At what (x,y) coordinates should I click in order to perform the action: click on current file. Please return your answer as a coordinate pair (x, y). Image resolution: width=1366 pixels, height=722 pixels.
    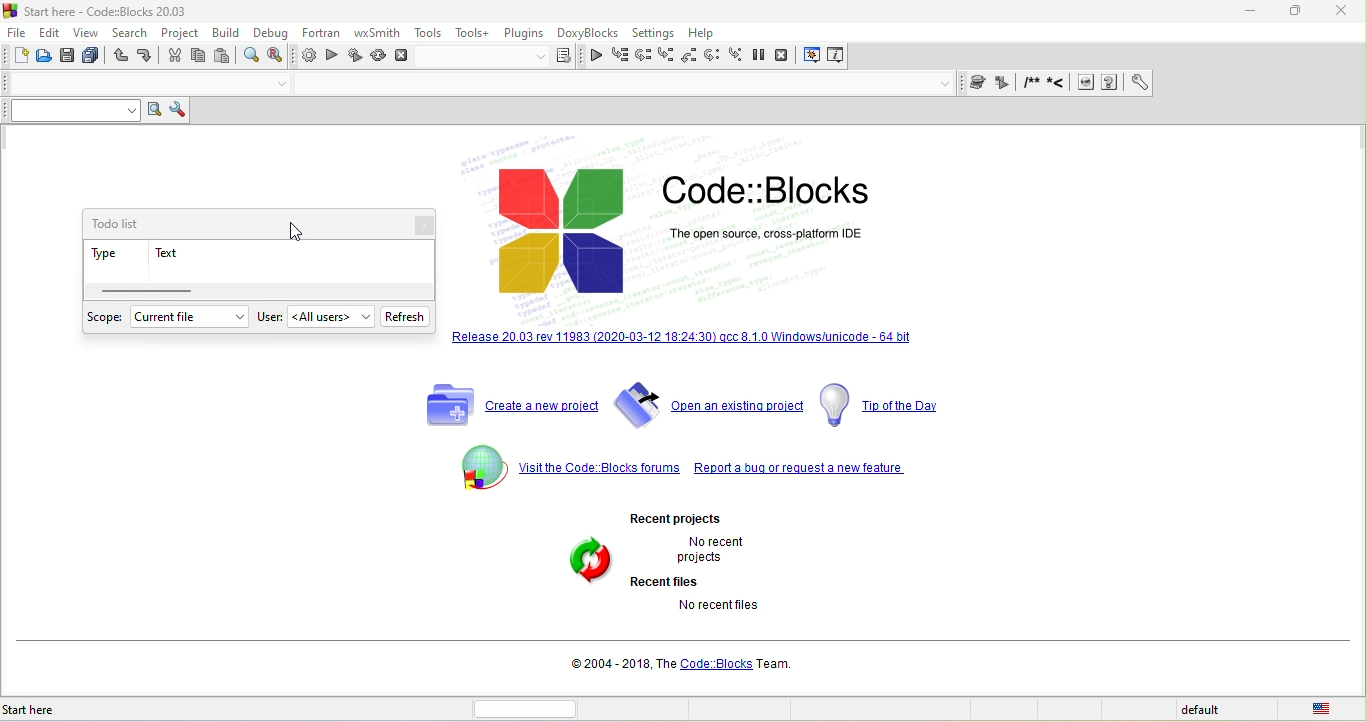
    Looking at the image, I should click on (187, 317).